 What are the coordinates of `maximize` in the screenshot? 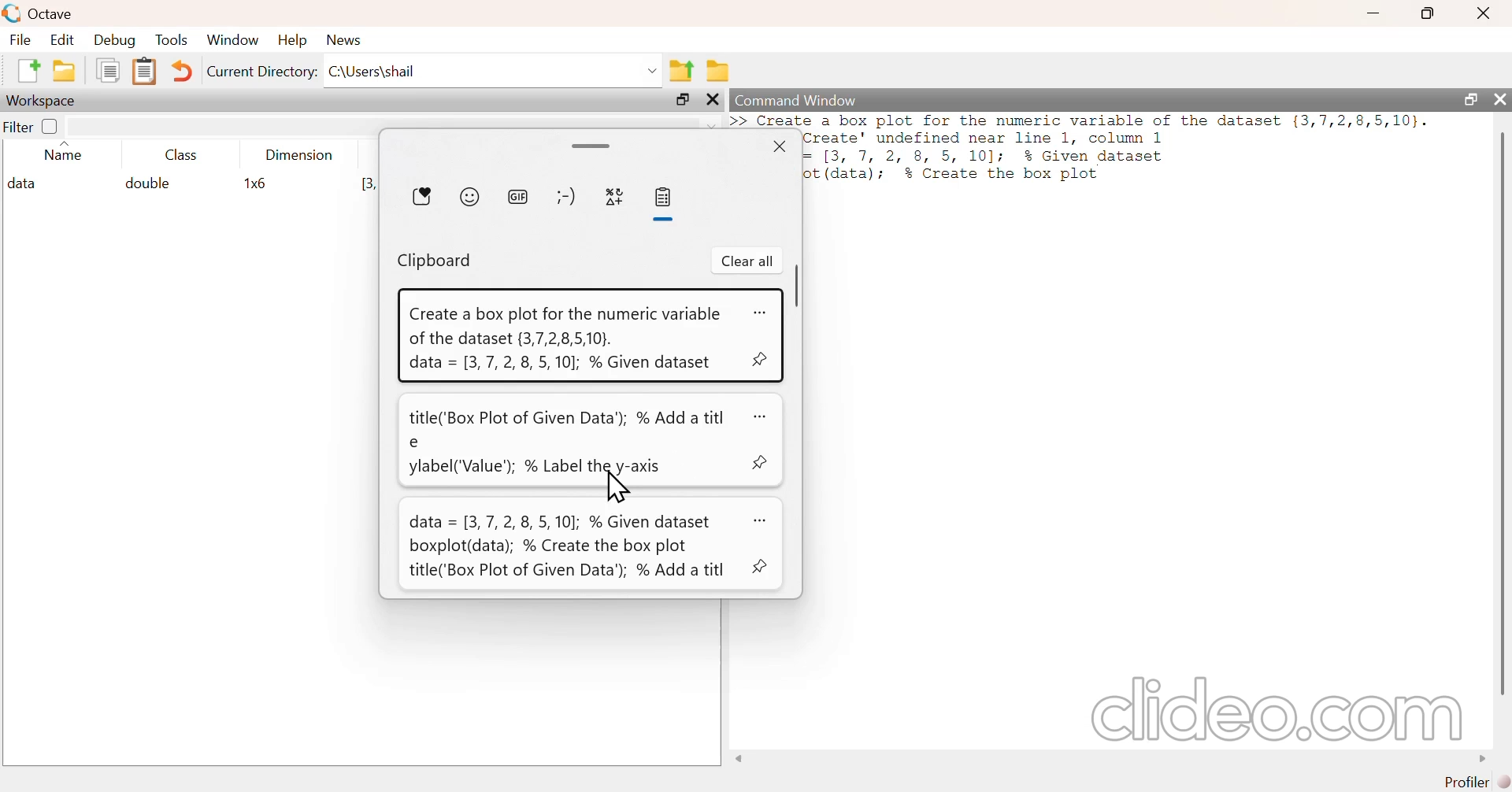 It's located at (1429, 13).